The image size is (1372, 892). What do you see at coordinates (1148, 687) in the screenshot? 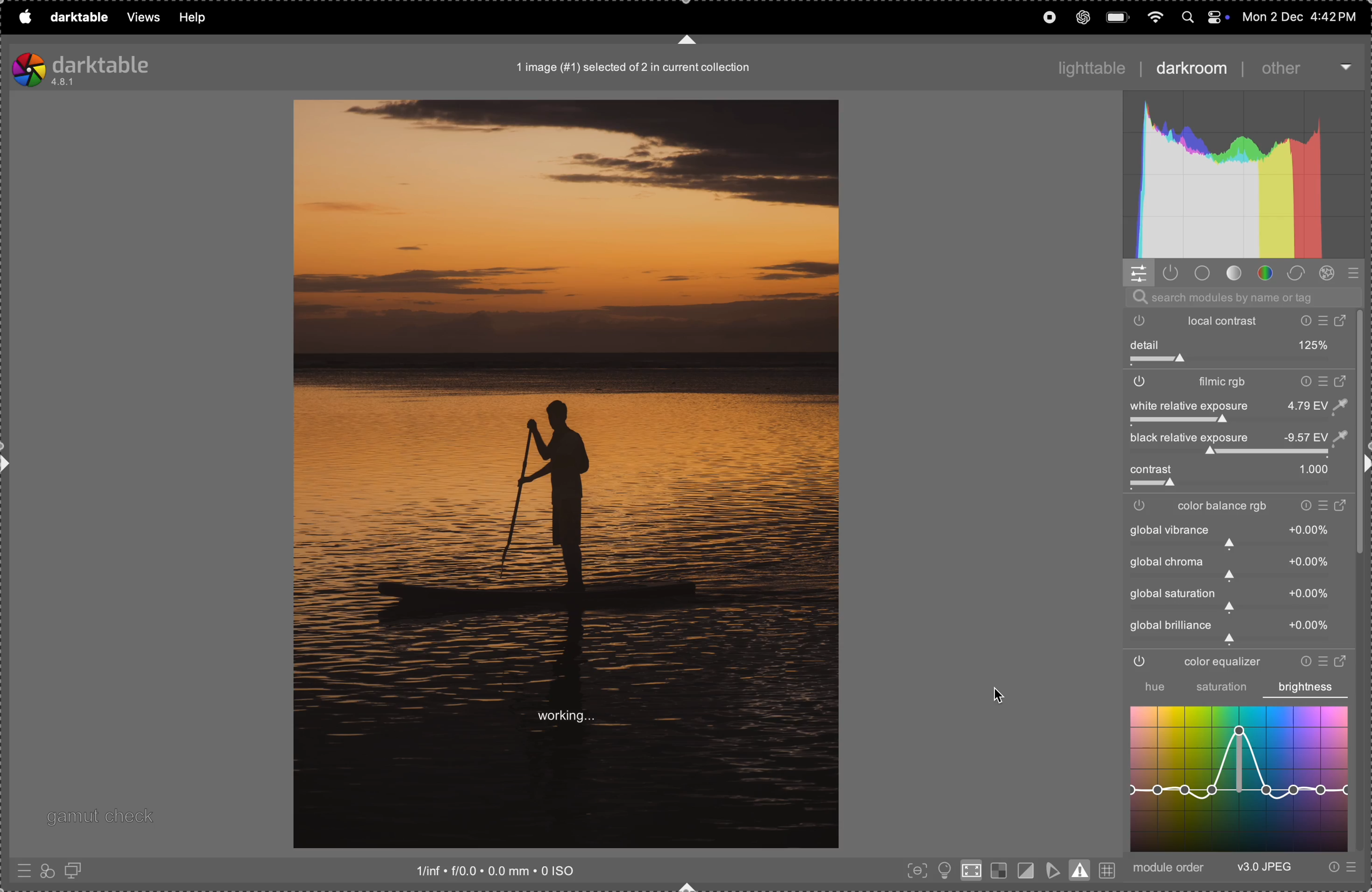
I see `hue` at bounding box center [1148, 687].